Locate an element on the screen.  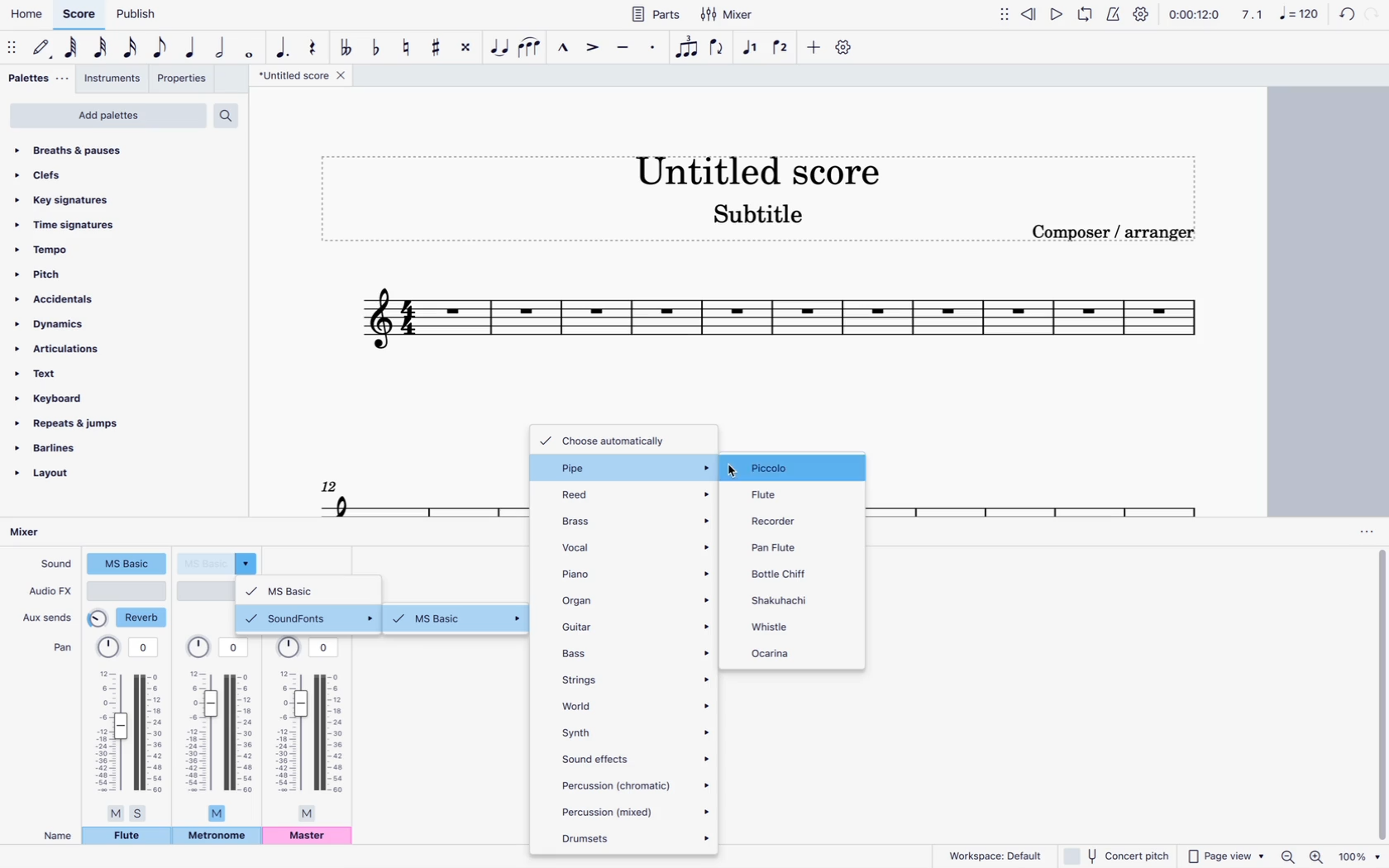
home is located at coordinates (26, 17).